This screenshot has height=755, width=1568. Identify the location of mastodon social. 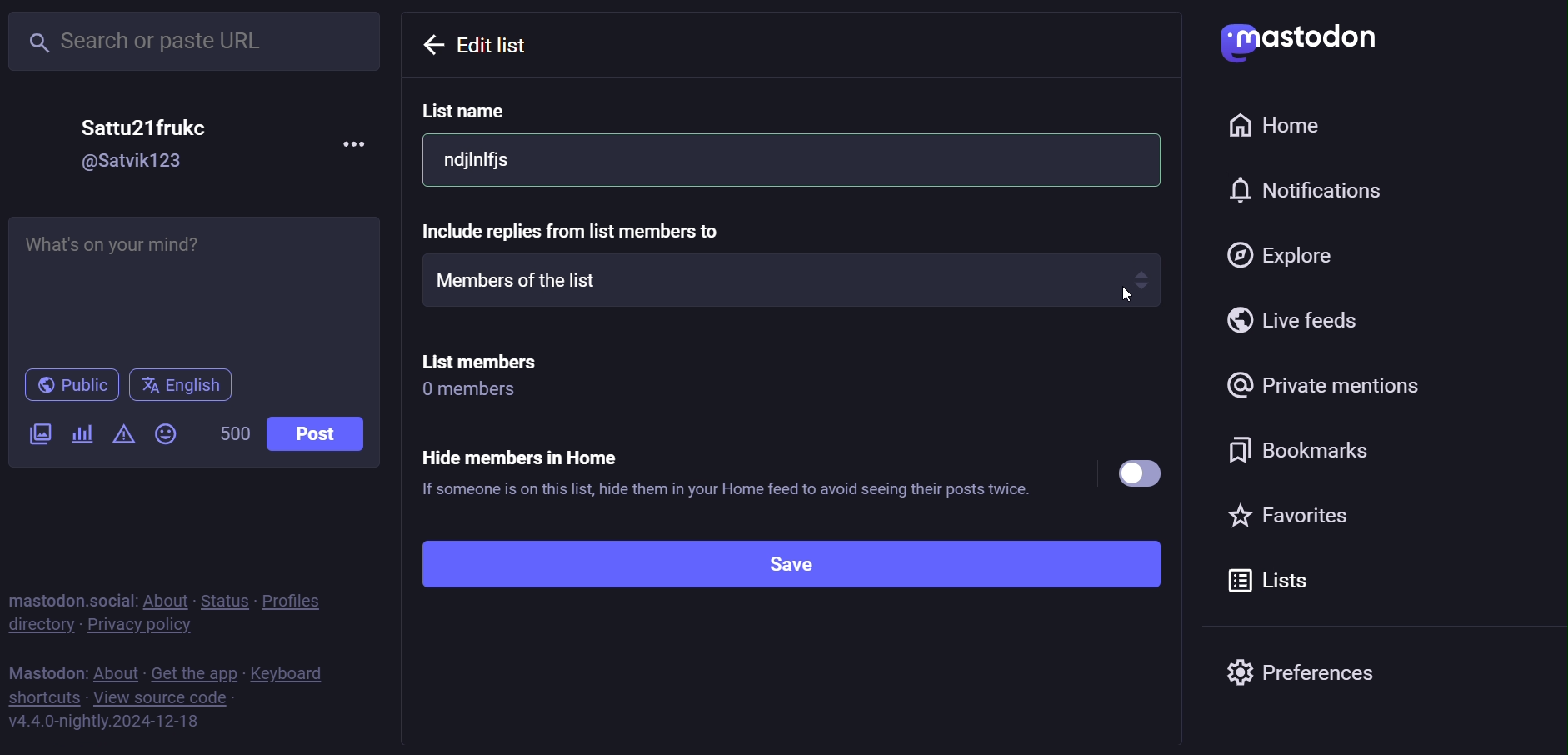
(71, 597).